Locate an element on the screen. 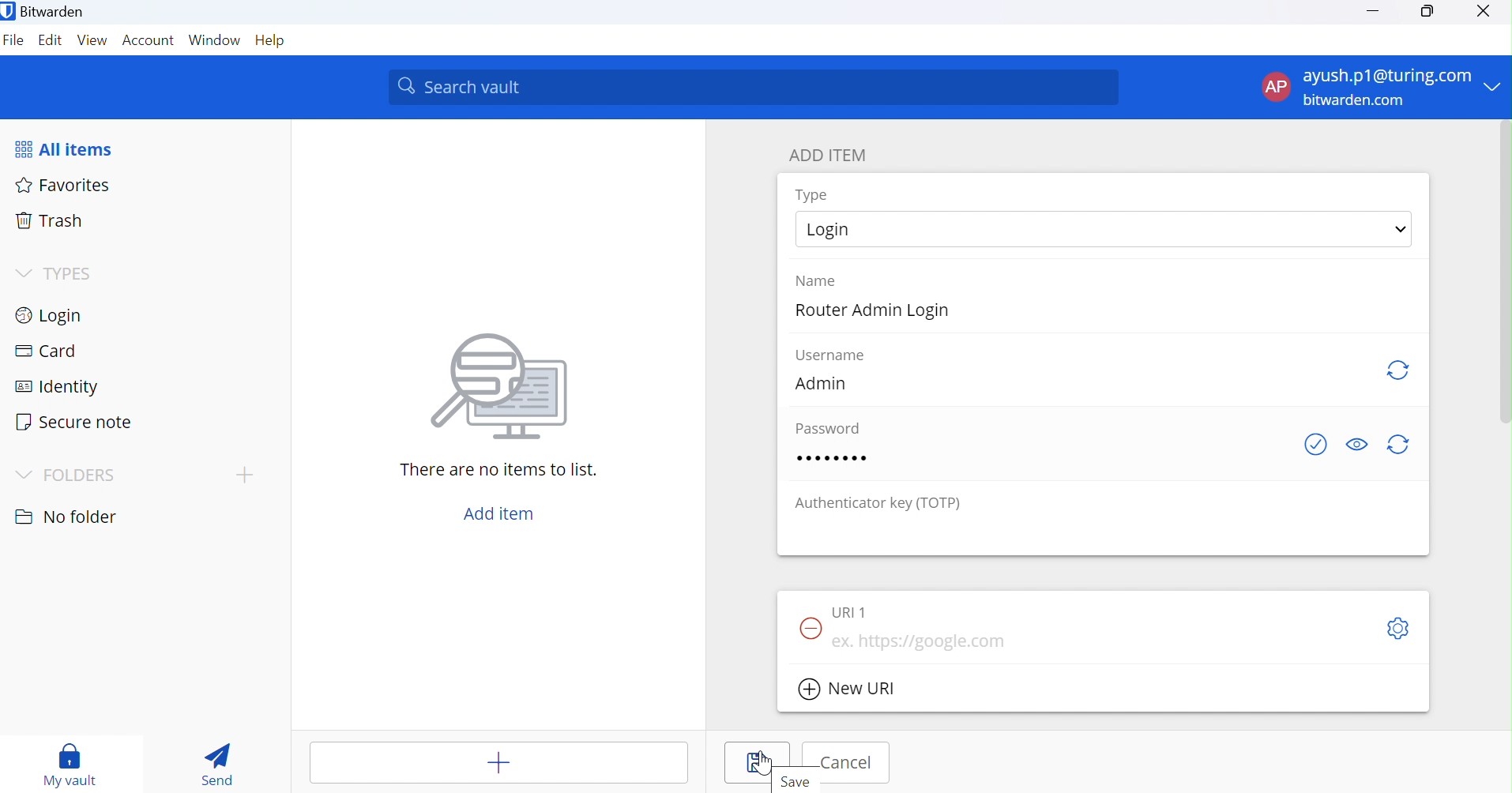 This screenshot has width=1512, height=793. Username is located at coordinates (829, 355).